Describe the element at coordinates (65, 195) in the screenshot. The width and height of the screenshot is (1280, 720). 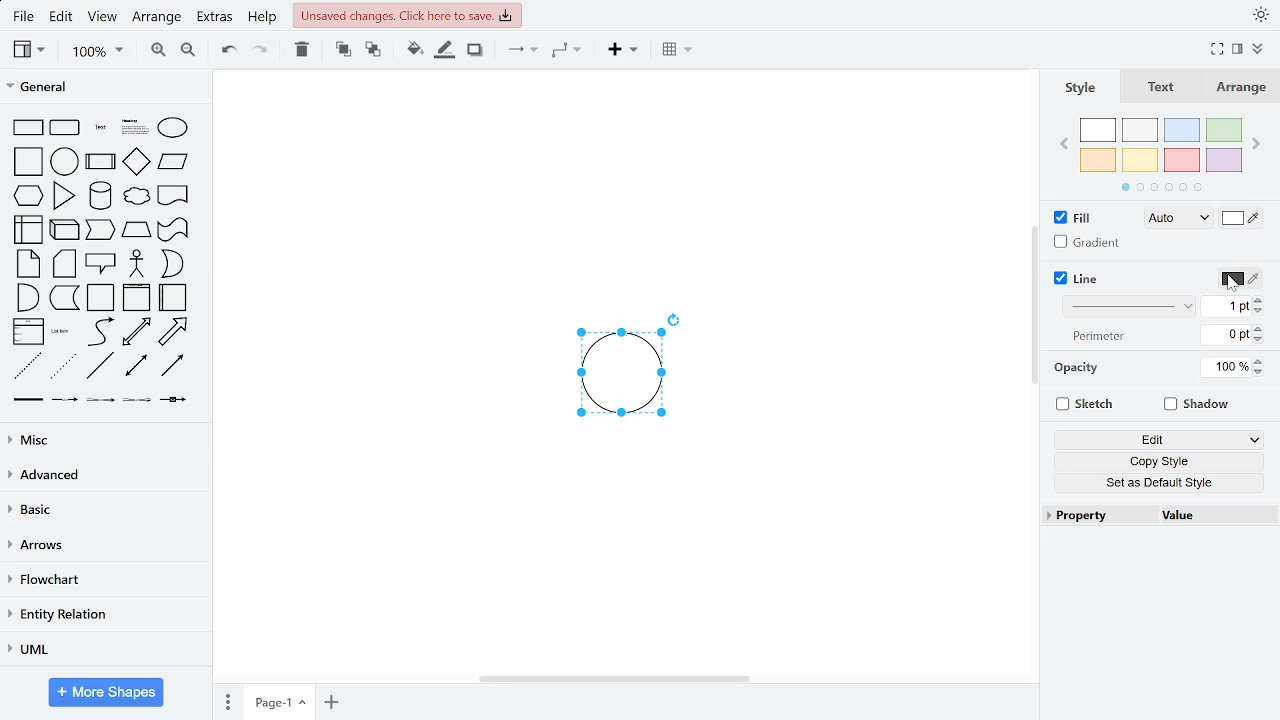
I see `triangle` at that location.